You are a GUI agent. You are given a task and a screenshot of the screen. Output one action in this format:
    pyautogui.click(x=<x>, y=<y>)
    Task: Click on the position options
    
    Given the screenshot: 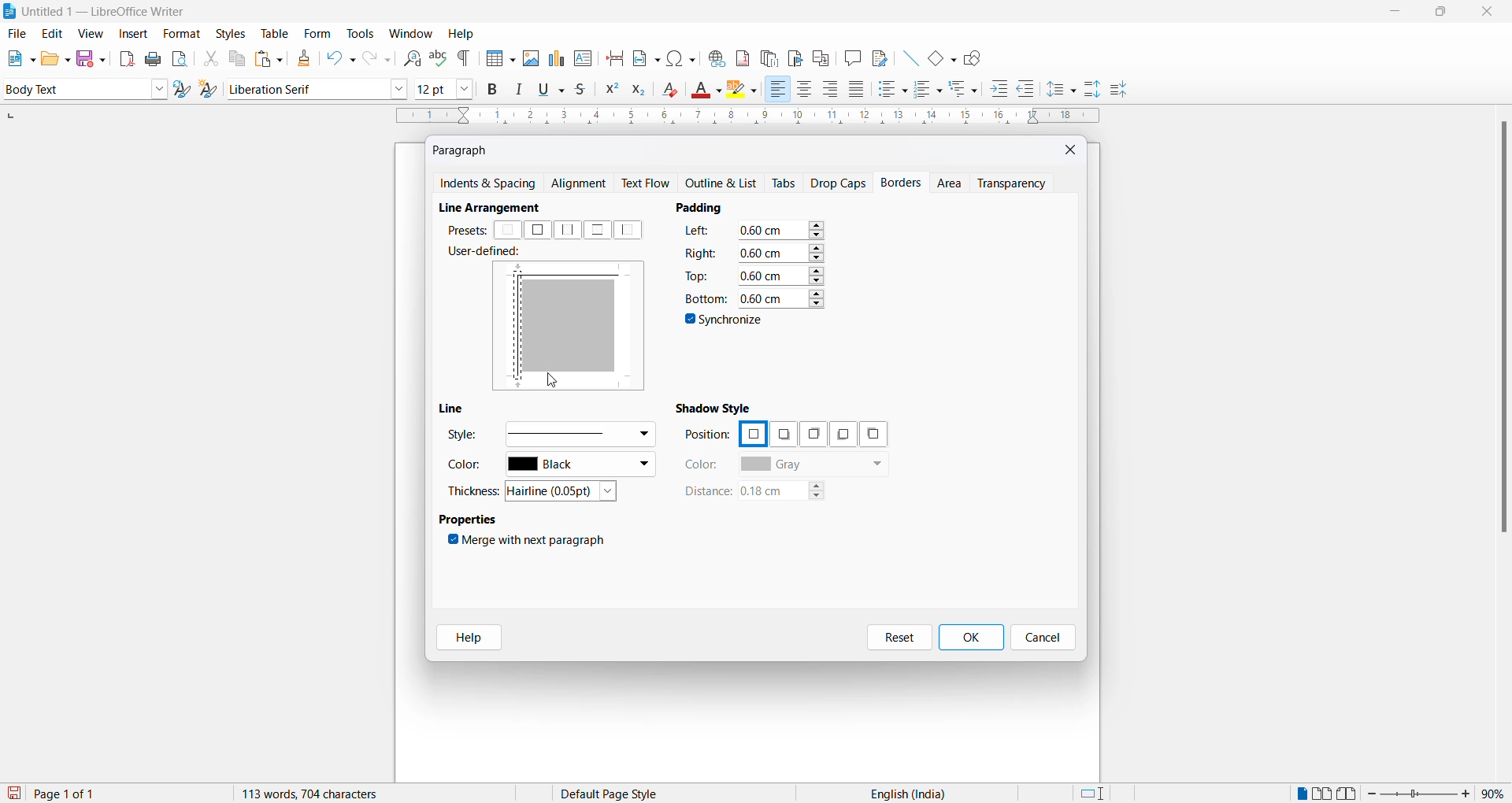 What is the action you would take?
    pyautogui.click(x=839, y=435)
    